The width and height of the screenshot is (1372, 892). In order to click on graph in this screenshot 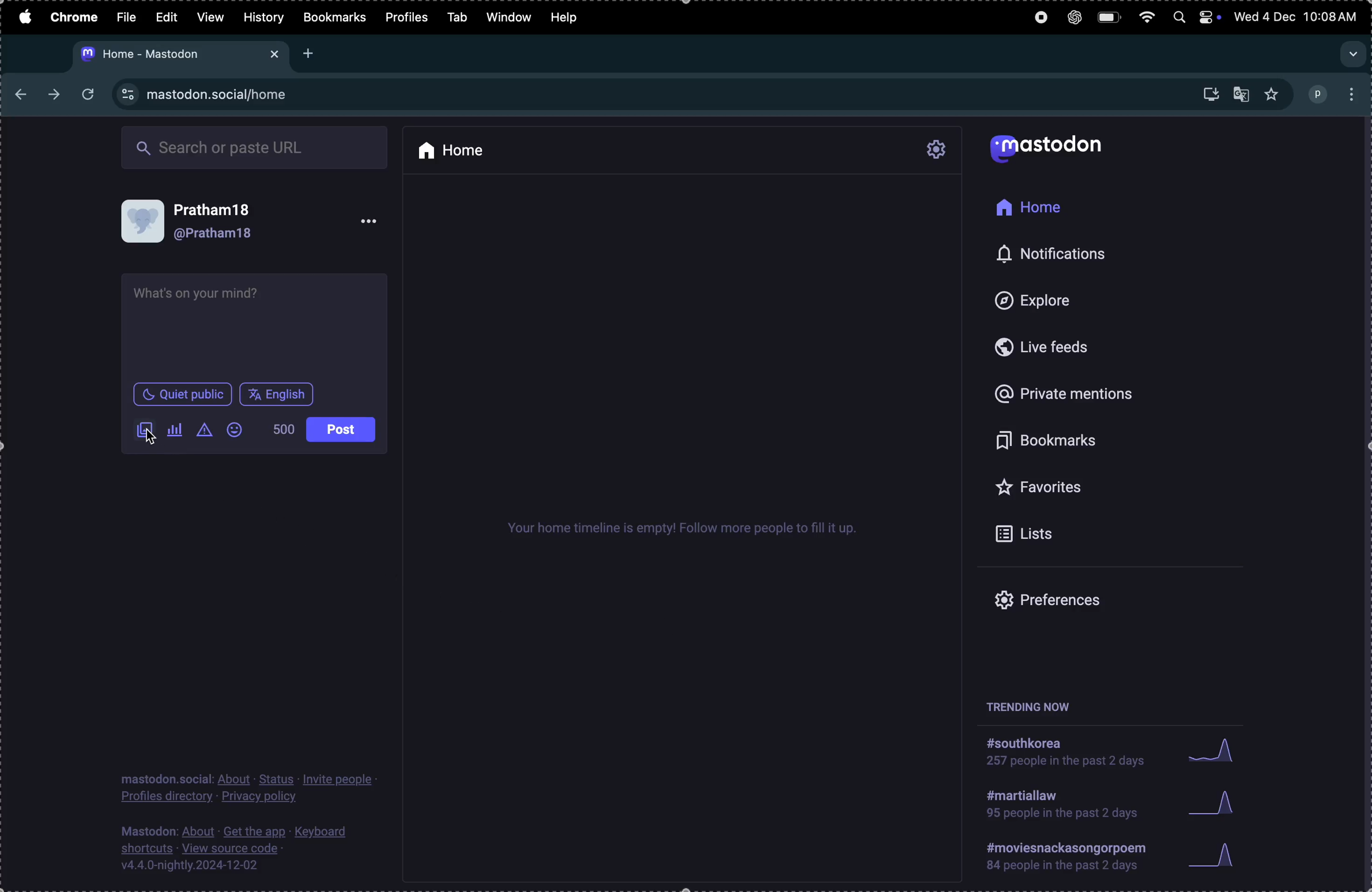, I will do `click(1217, 857)`.